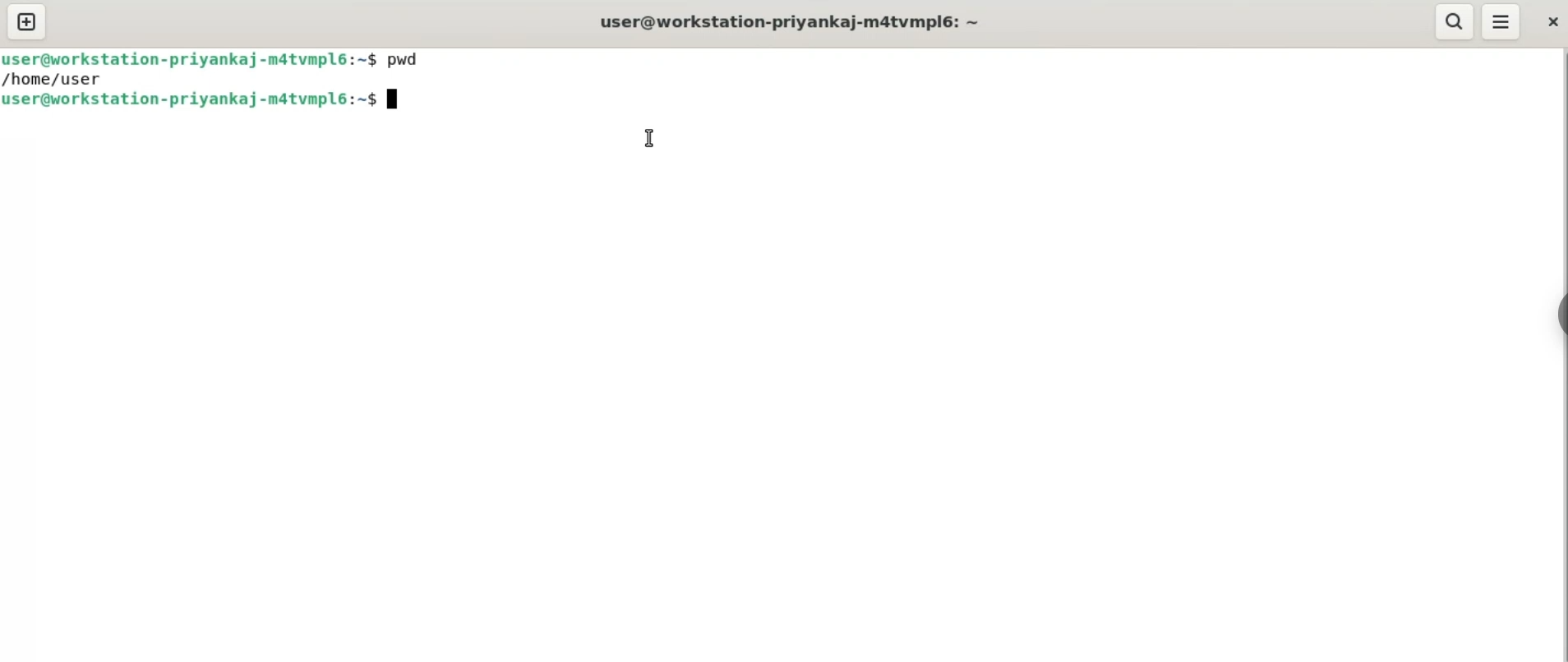 This screenshot has width=1568, height=662. Describe the element at coordinates (790, 23) in the screenshot. I see `user@workstation-priyankaj-m4tvmplé: ~` at that location.